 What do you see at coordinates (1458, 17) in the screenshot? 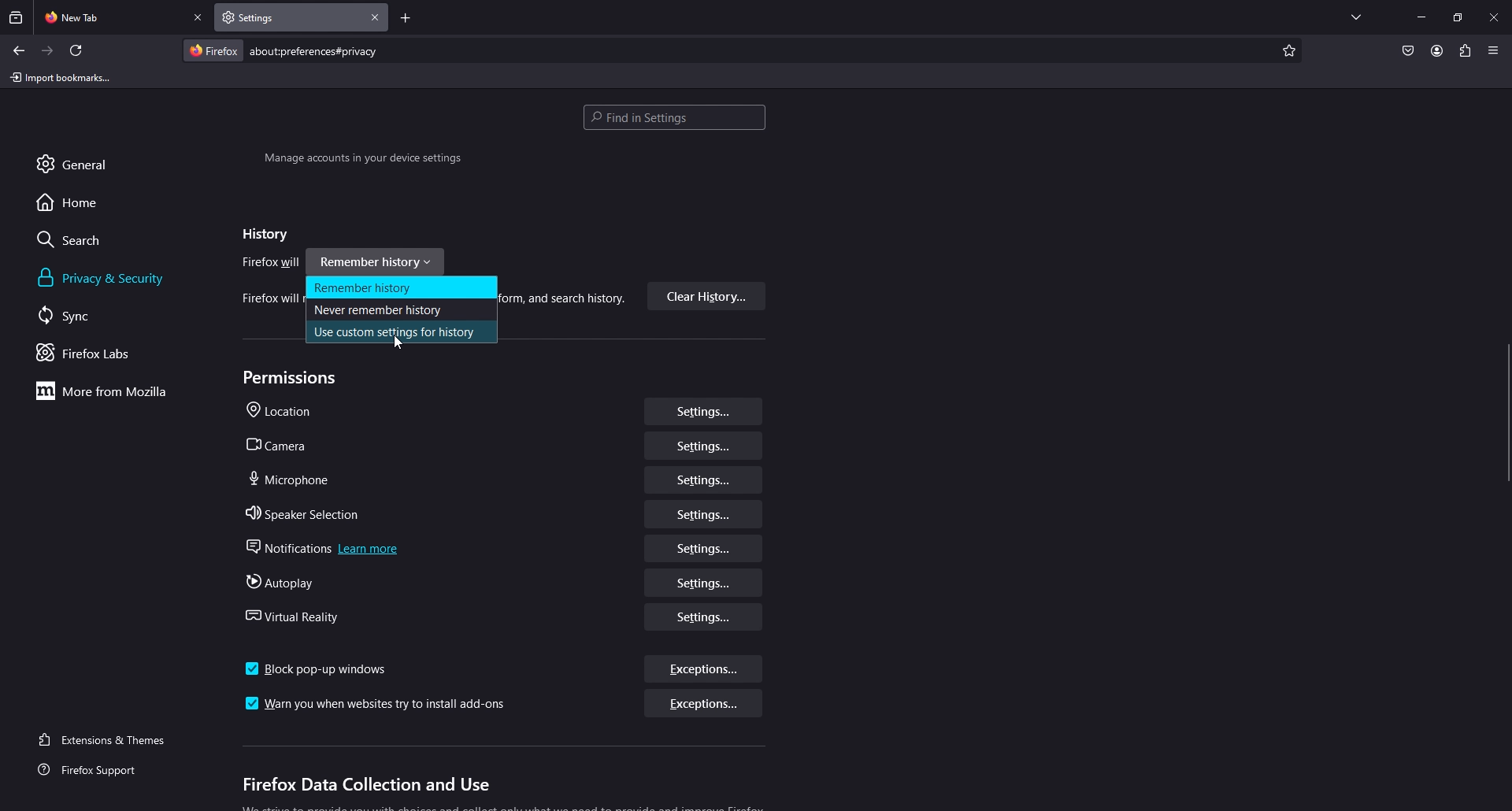
I see `resize` at bounding box center [1458, 17].